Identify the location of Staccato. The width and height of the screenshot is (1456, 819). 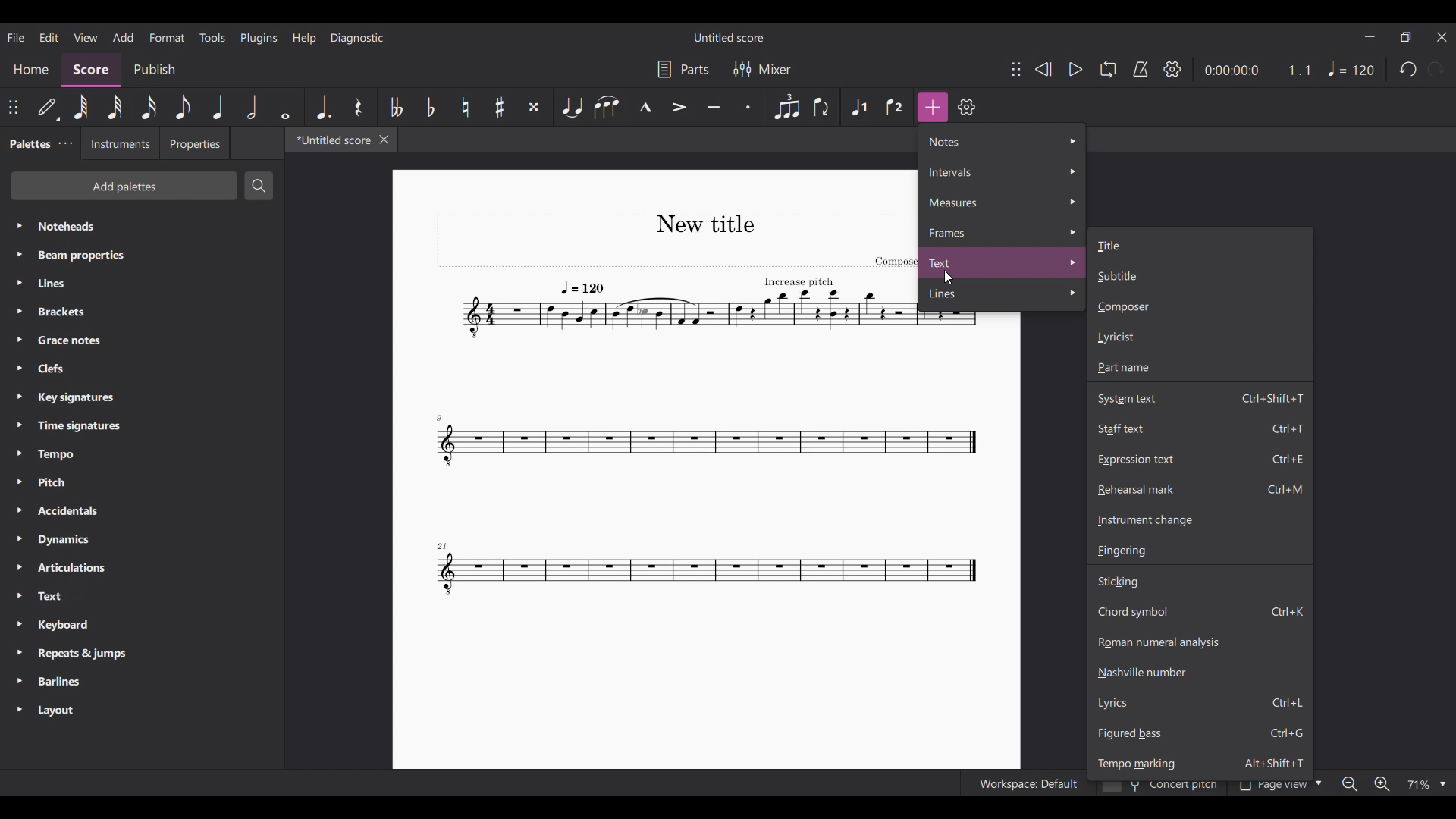
(748, 107).